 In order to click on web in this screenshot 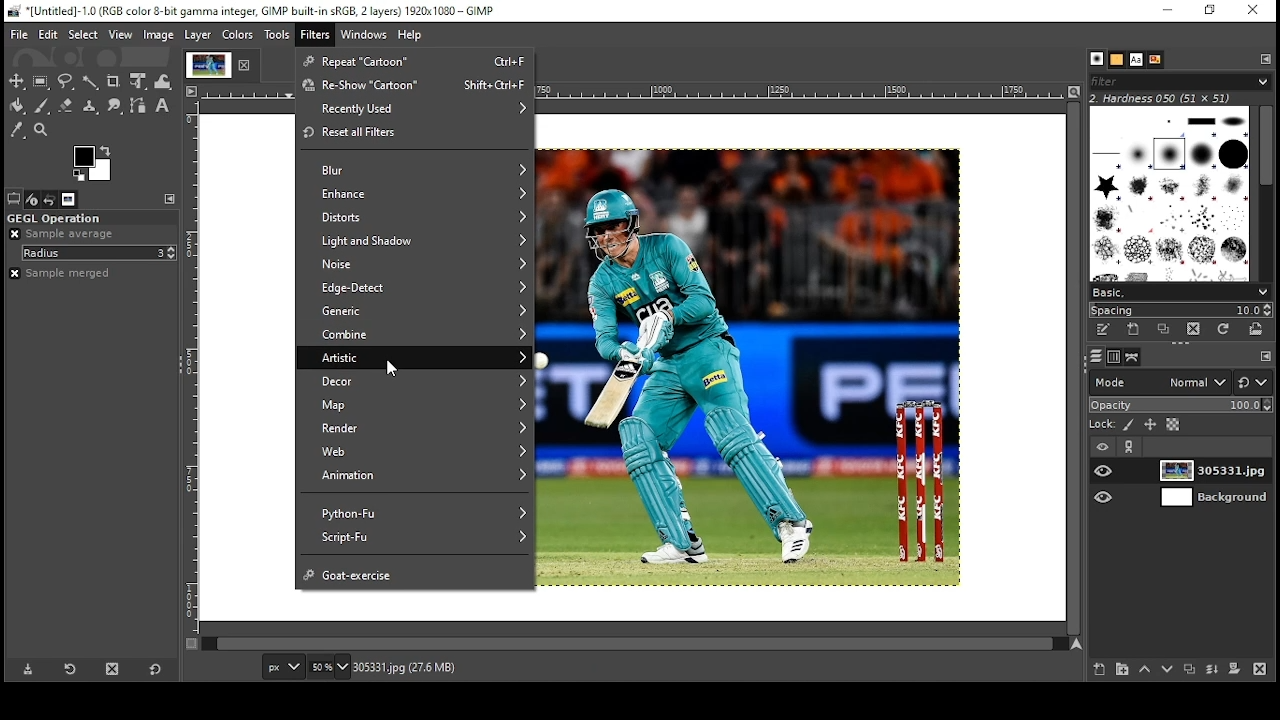, I will do `click(419, 451)`.